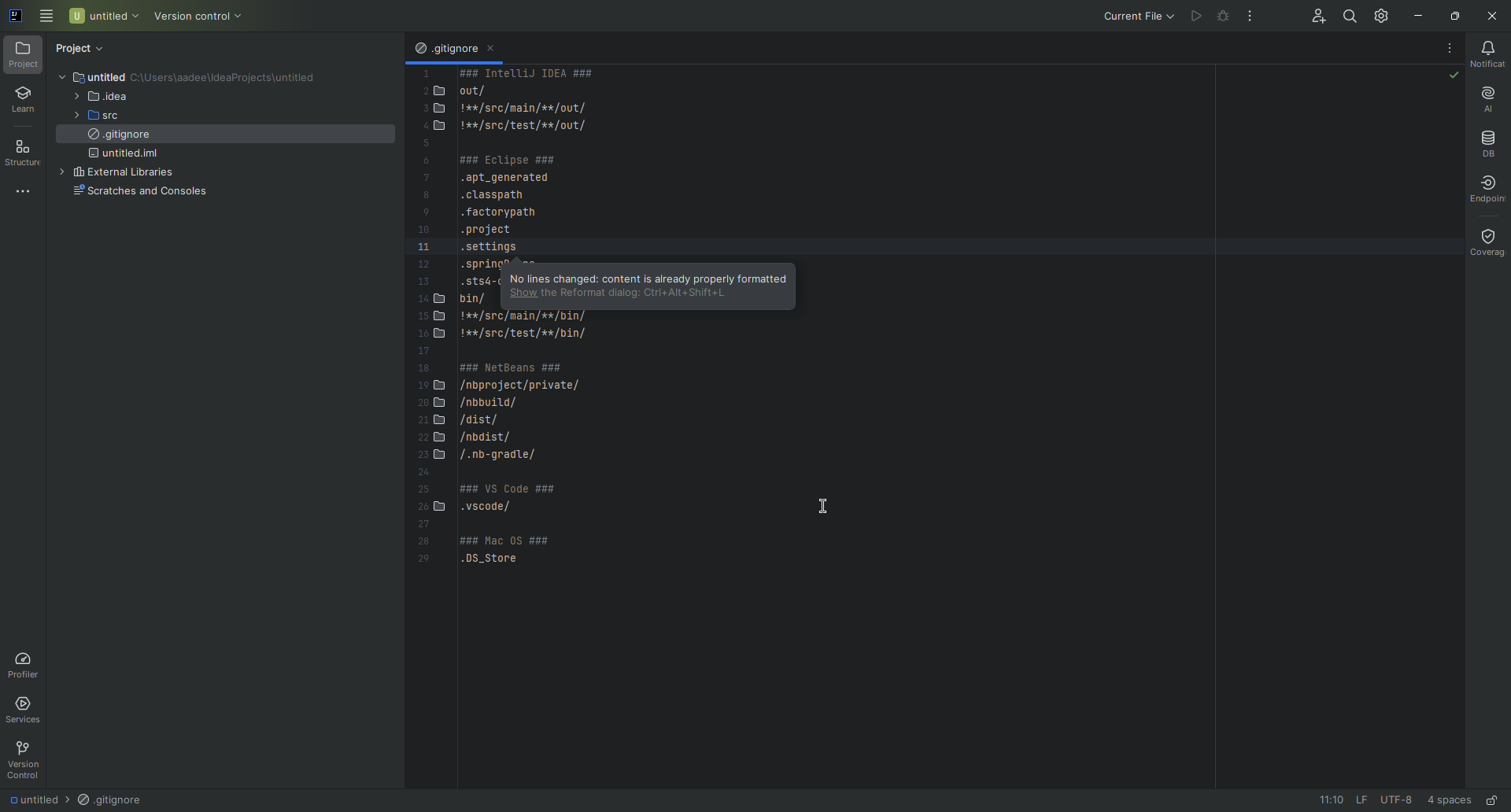  I want to click on More Actions, so click(1450, 47).